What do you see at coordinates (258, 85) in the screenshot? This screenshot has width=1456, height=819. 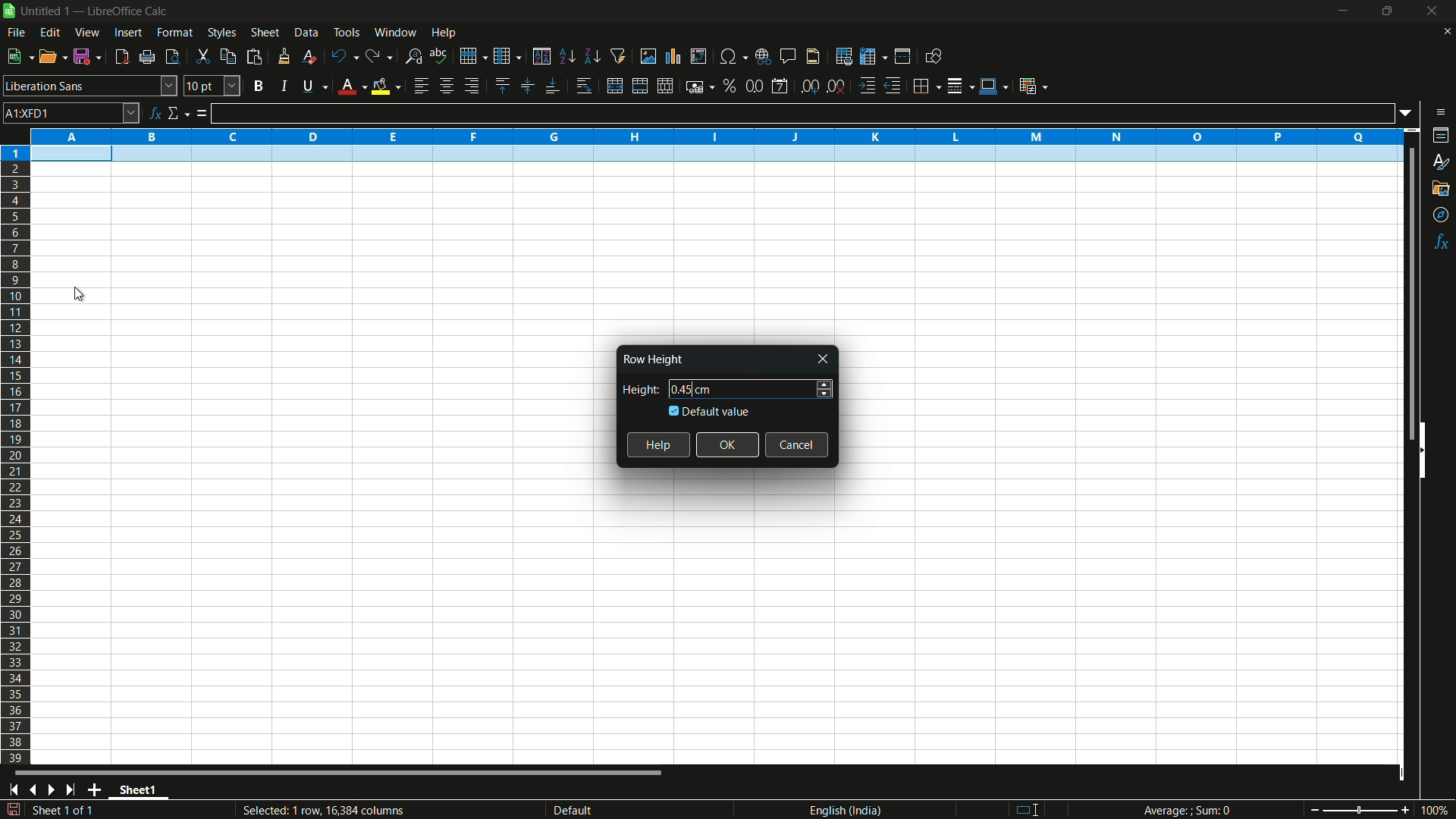 I see `bold` at bounding box center [258, 85].